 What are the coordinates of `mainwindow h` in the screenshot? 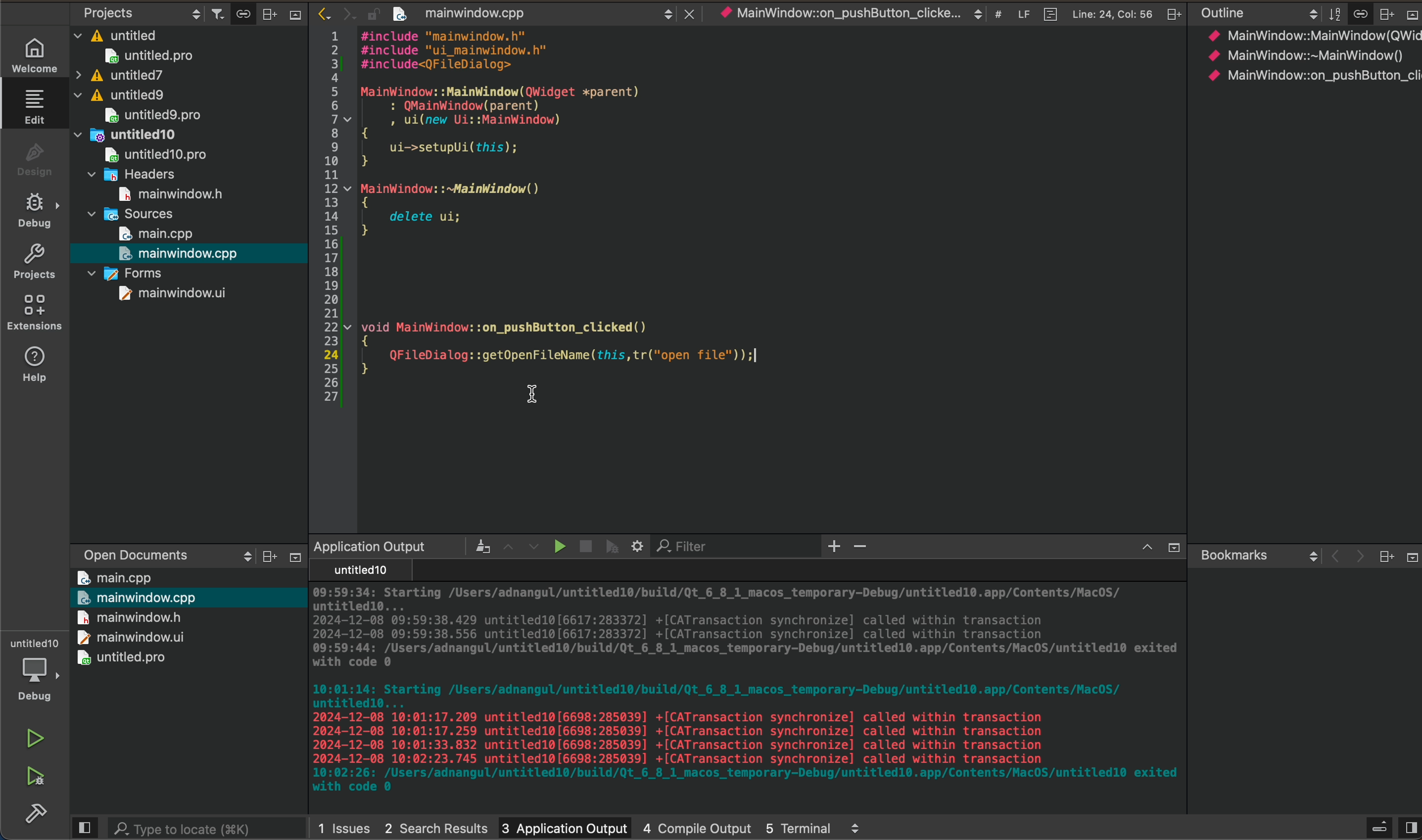 It's located at (173, 192).